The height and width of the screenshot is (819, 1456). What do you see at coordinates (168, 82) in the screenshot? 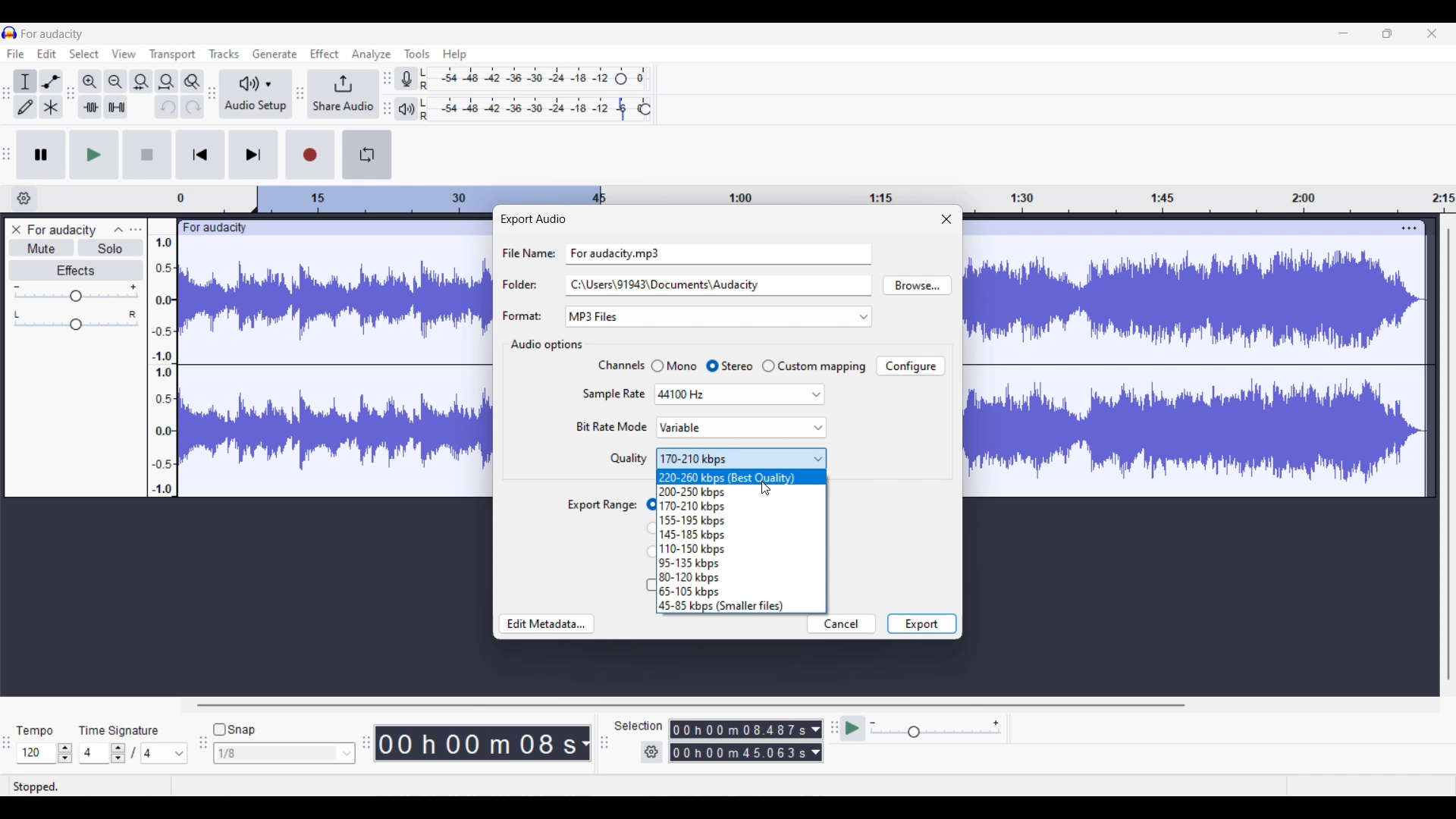
I see `Fit project to width` at bounding box center [168, 82].